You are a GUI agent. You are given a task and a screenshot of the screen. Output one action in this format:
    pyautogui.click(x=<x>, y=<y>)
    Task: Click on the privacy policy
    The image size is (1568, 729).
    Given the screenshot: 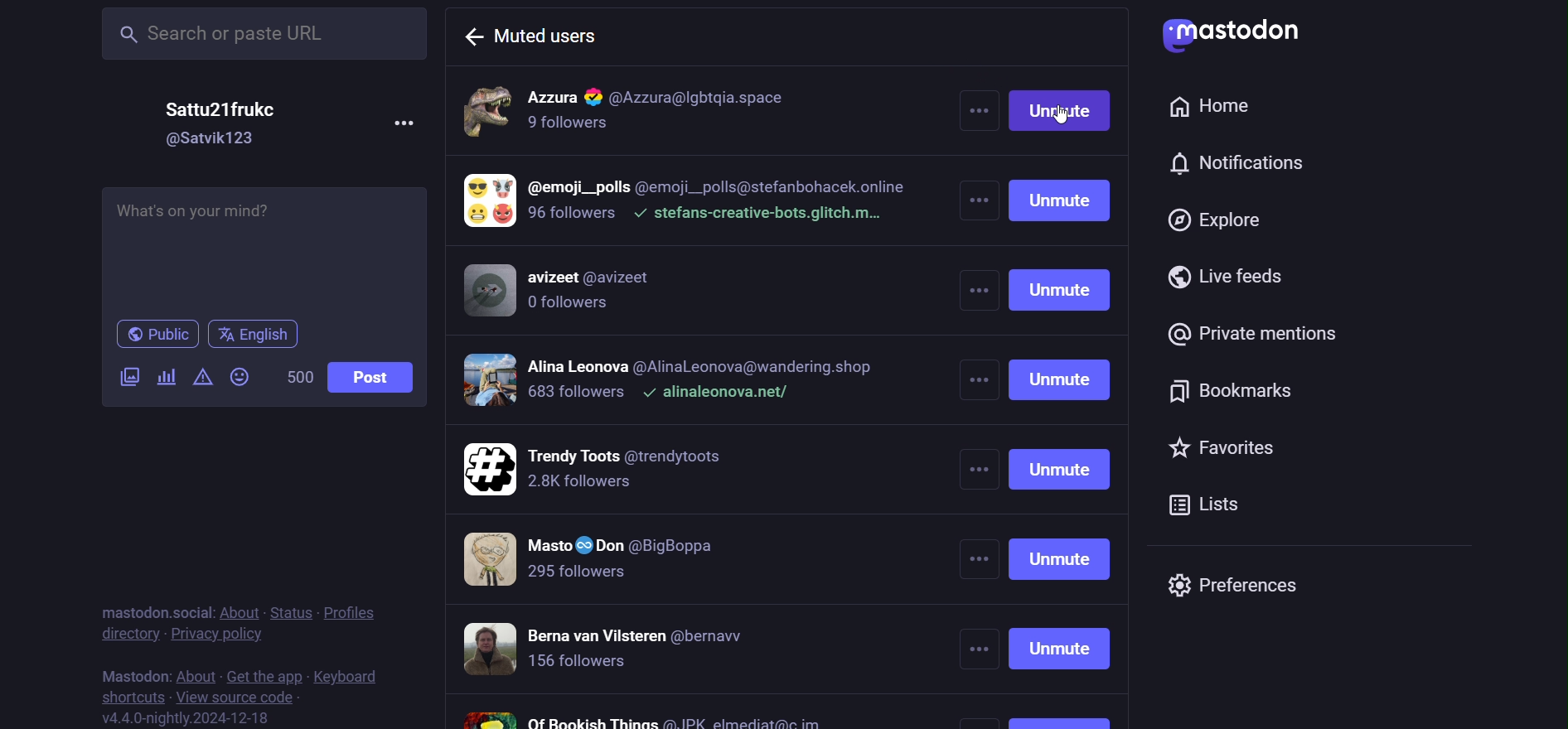 What is the action you would take?
    pyautogui.click(x=217, y=633)
    